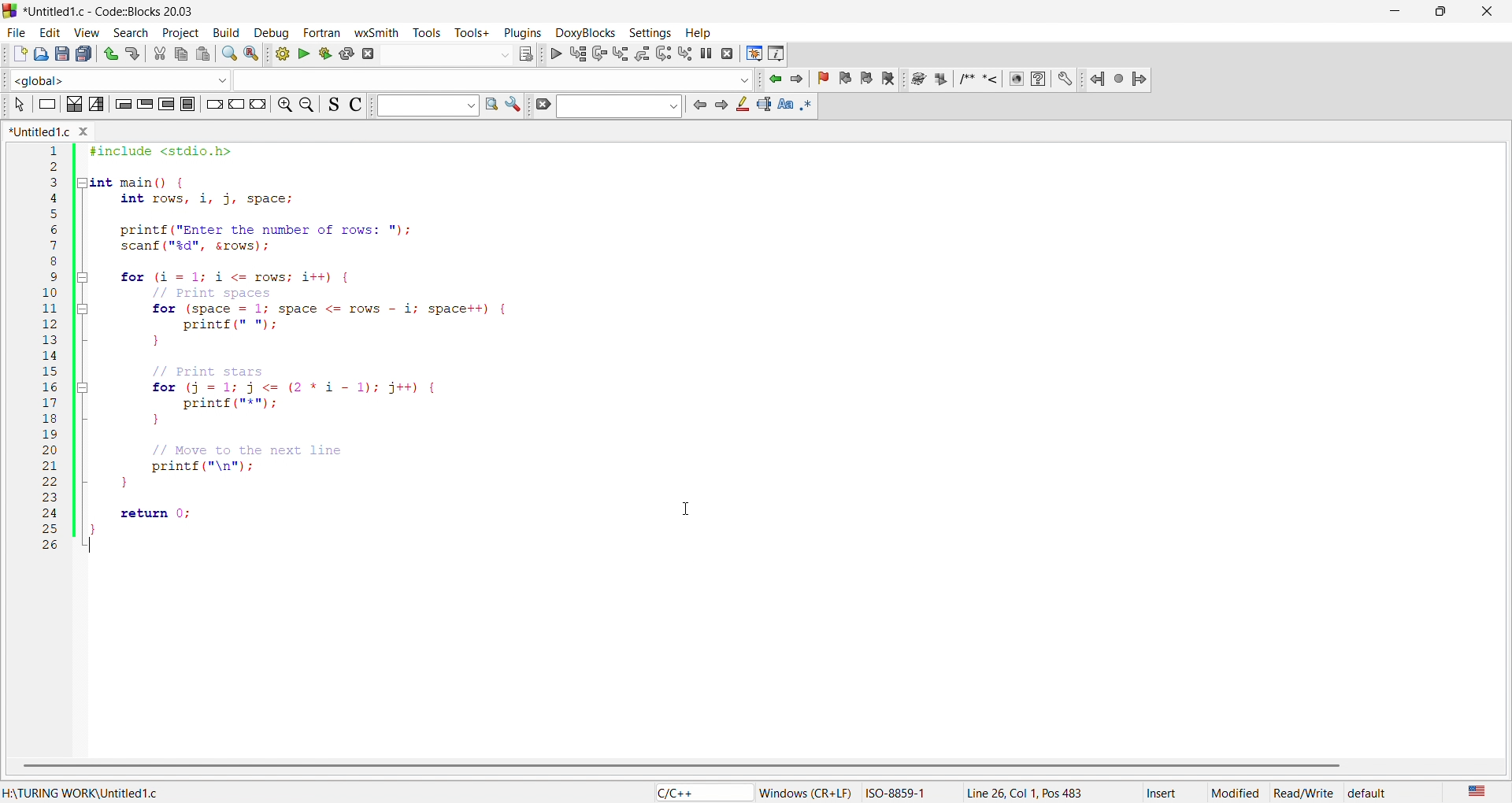 The image size is (1512, 803). What do you see at coordinates (156, 54) in the screenshot?
I see `cut` at bounding box center [156, 54].